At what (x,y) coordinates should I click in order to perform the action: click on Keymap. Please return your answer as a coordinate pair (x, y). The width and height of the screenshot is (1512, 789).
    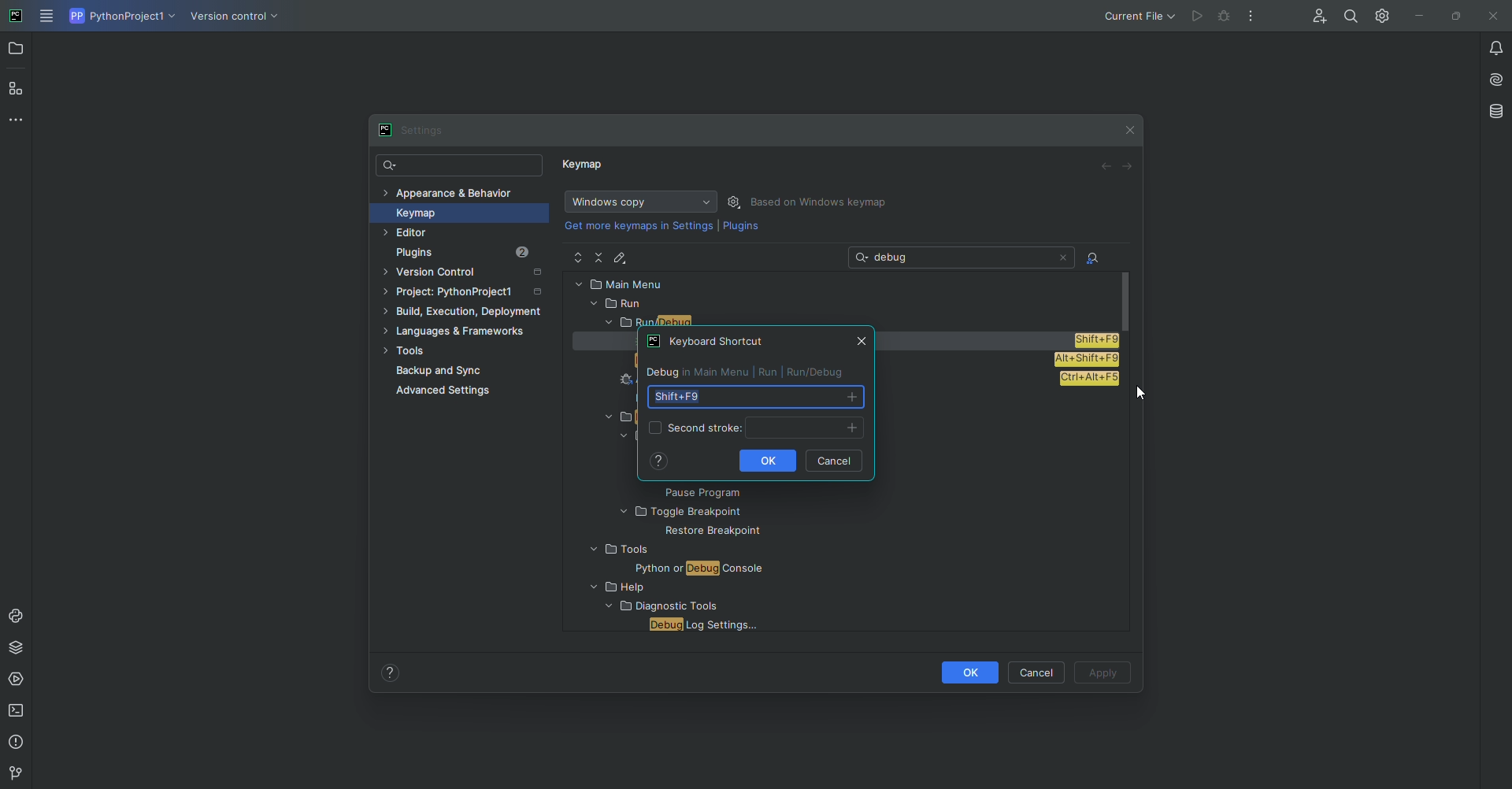
    Looking at the image, I should click on (454, 213).